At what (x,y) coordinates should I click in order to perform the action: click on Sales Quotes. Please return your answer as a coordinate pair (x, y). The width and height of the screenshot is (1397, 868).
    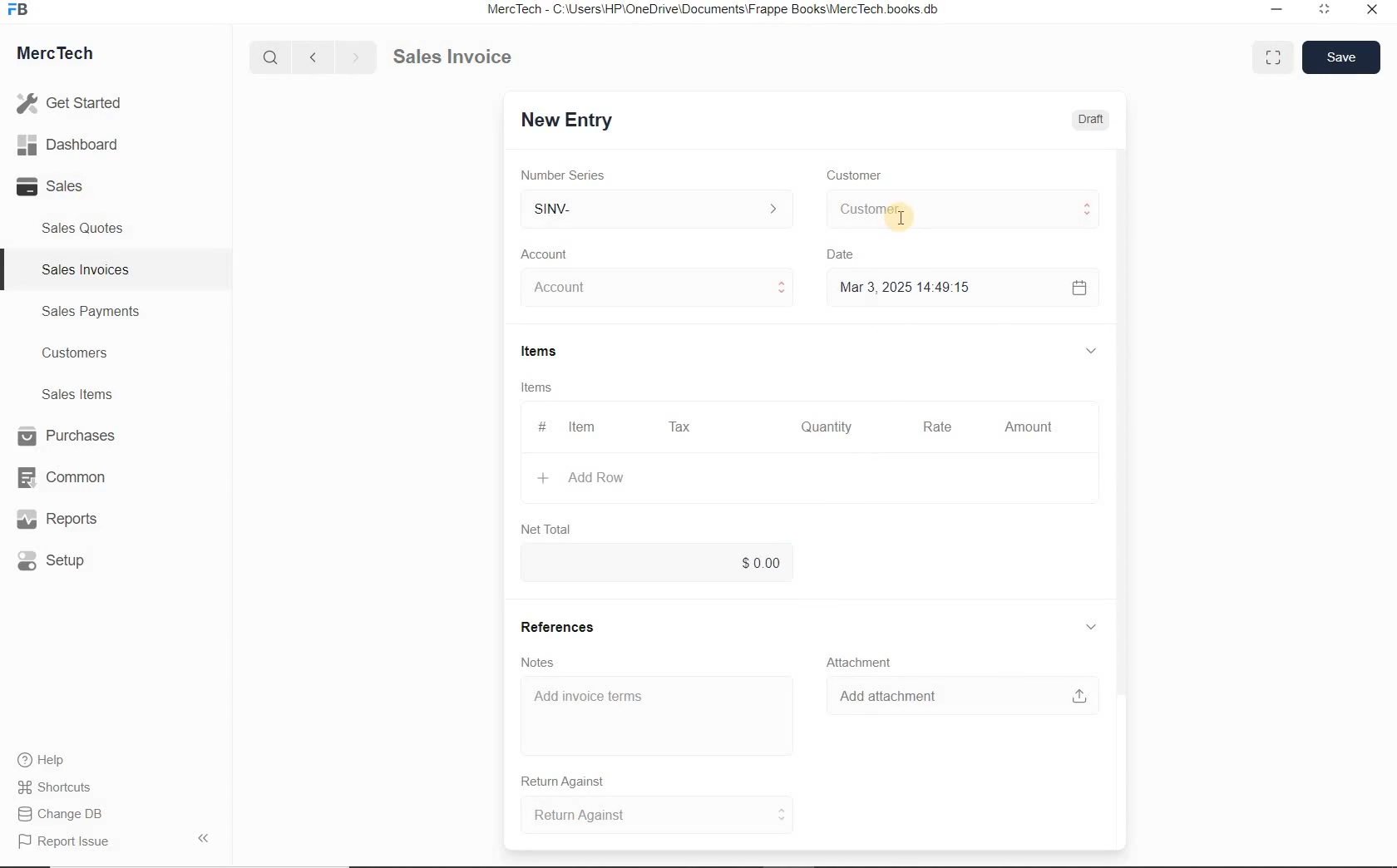
    Looking at the image, I should click on (86, 228).